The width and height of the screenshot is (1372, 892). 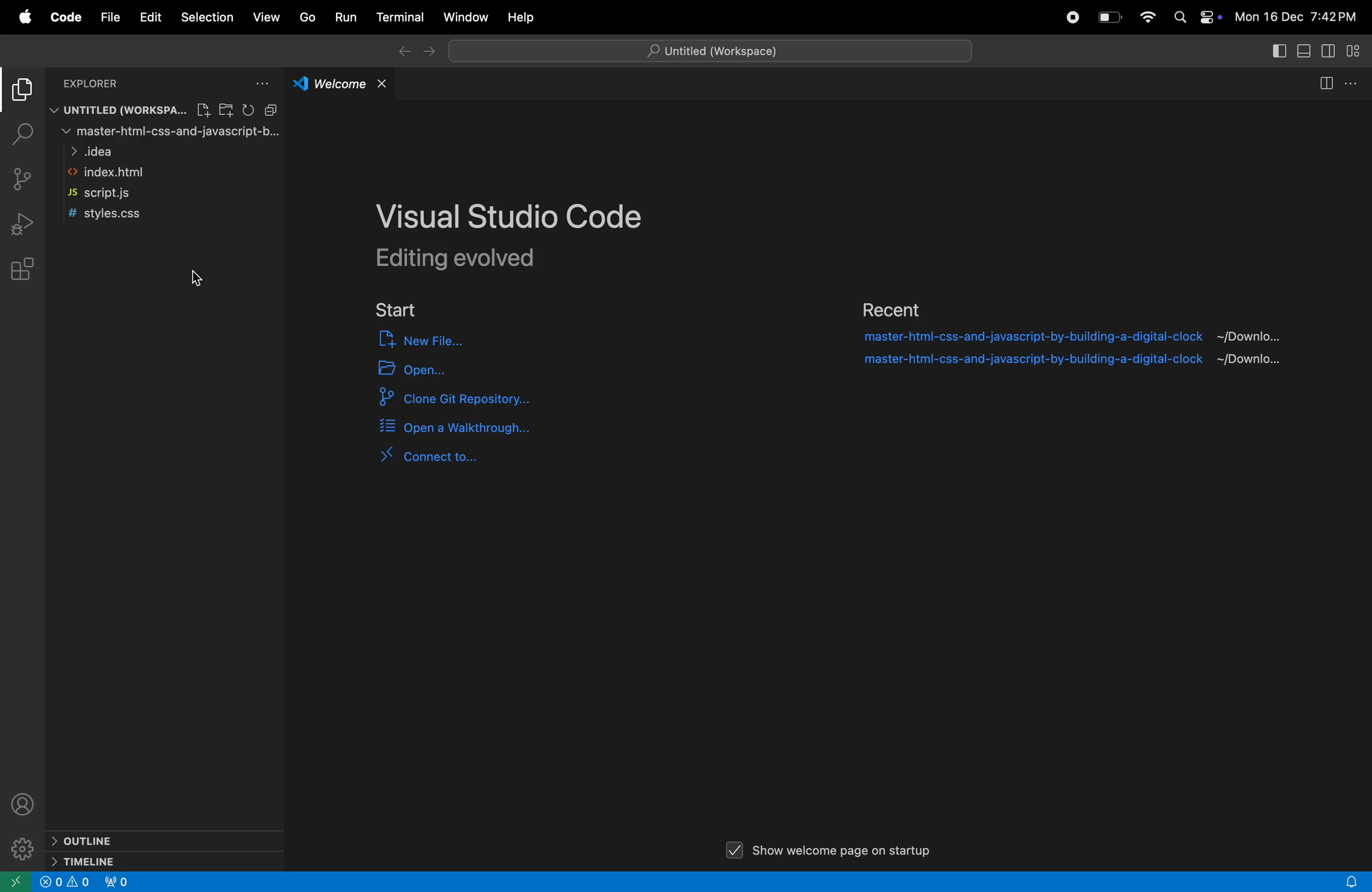 I want to click on View, so click(x=268, y=16).